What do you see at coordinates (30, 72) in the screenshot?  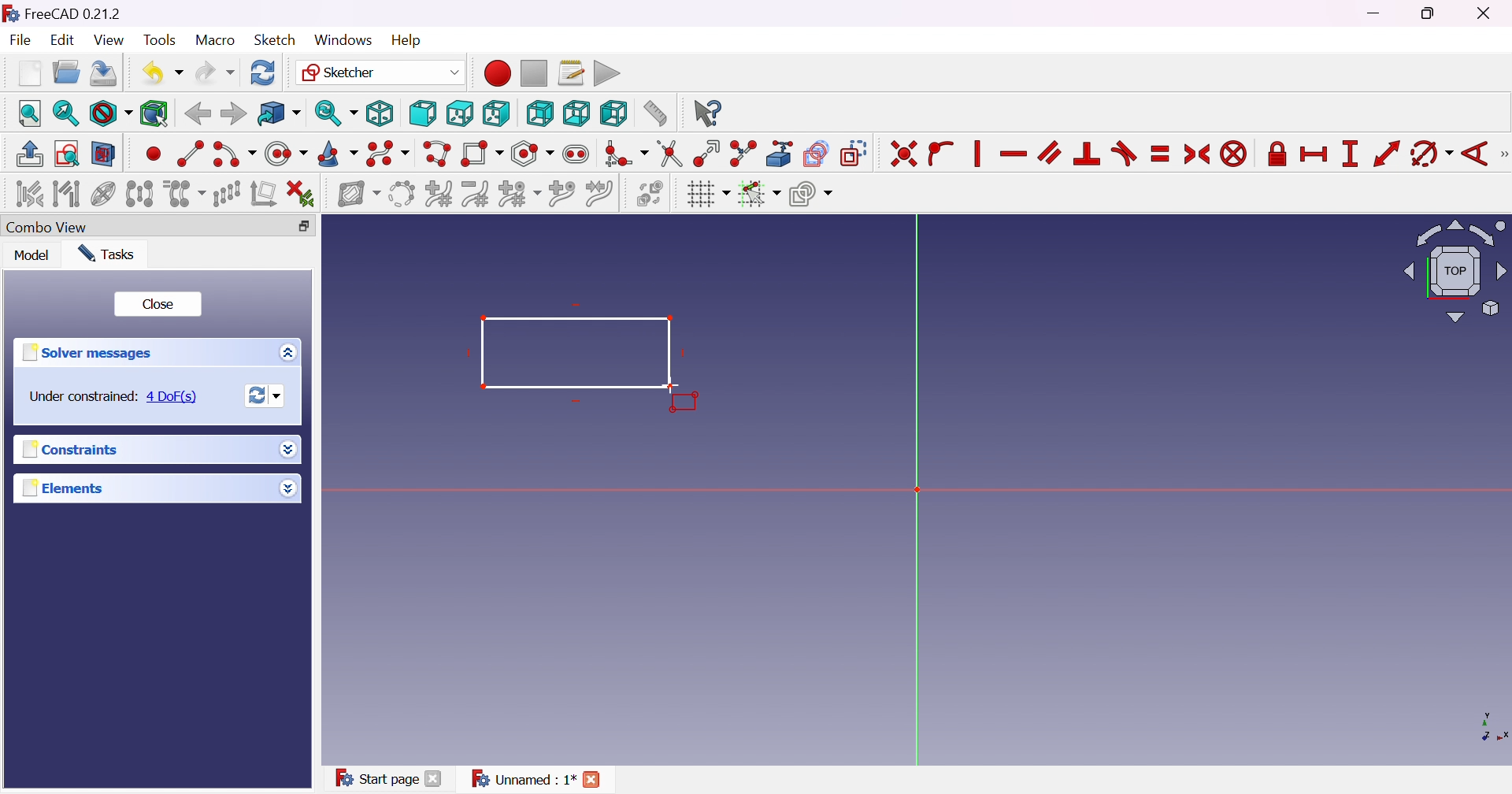 I see `New` at bounding box center [30, 72].